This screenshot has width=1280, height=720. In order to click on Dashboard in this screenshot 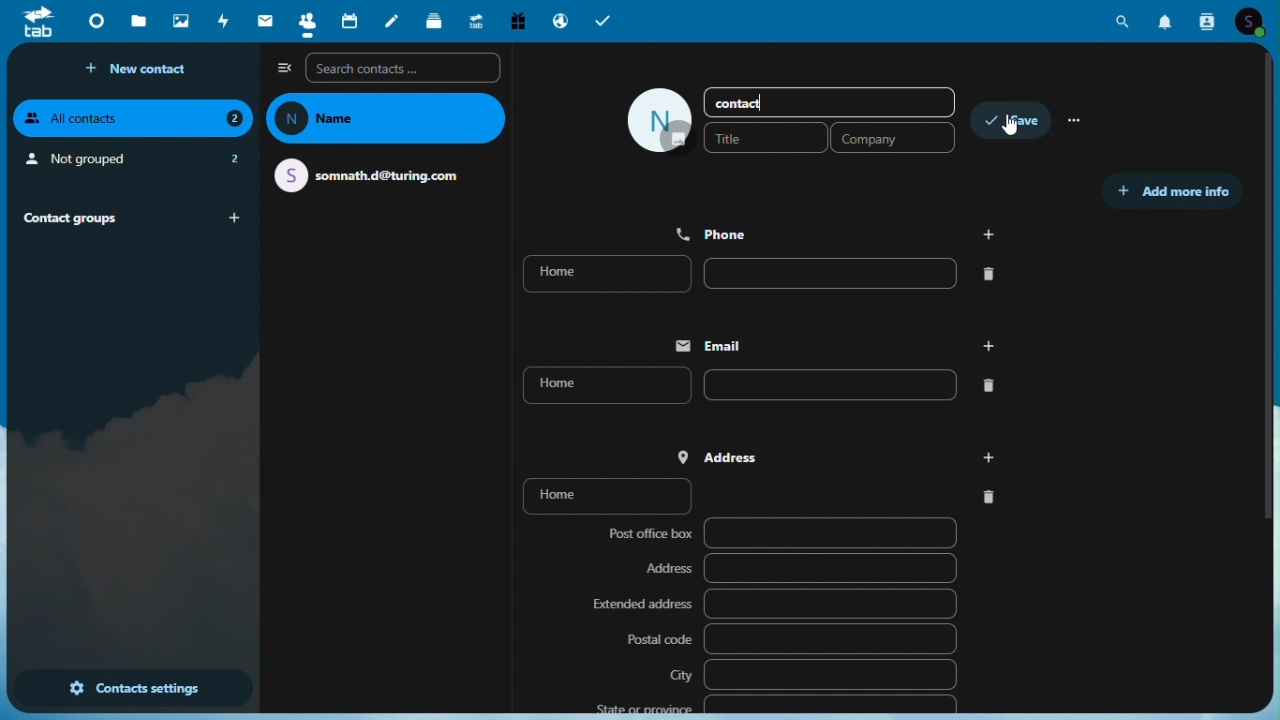, I will do `click(94, 22)`.